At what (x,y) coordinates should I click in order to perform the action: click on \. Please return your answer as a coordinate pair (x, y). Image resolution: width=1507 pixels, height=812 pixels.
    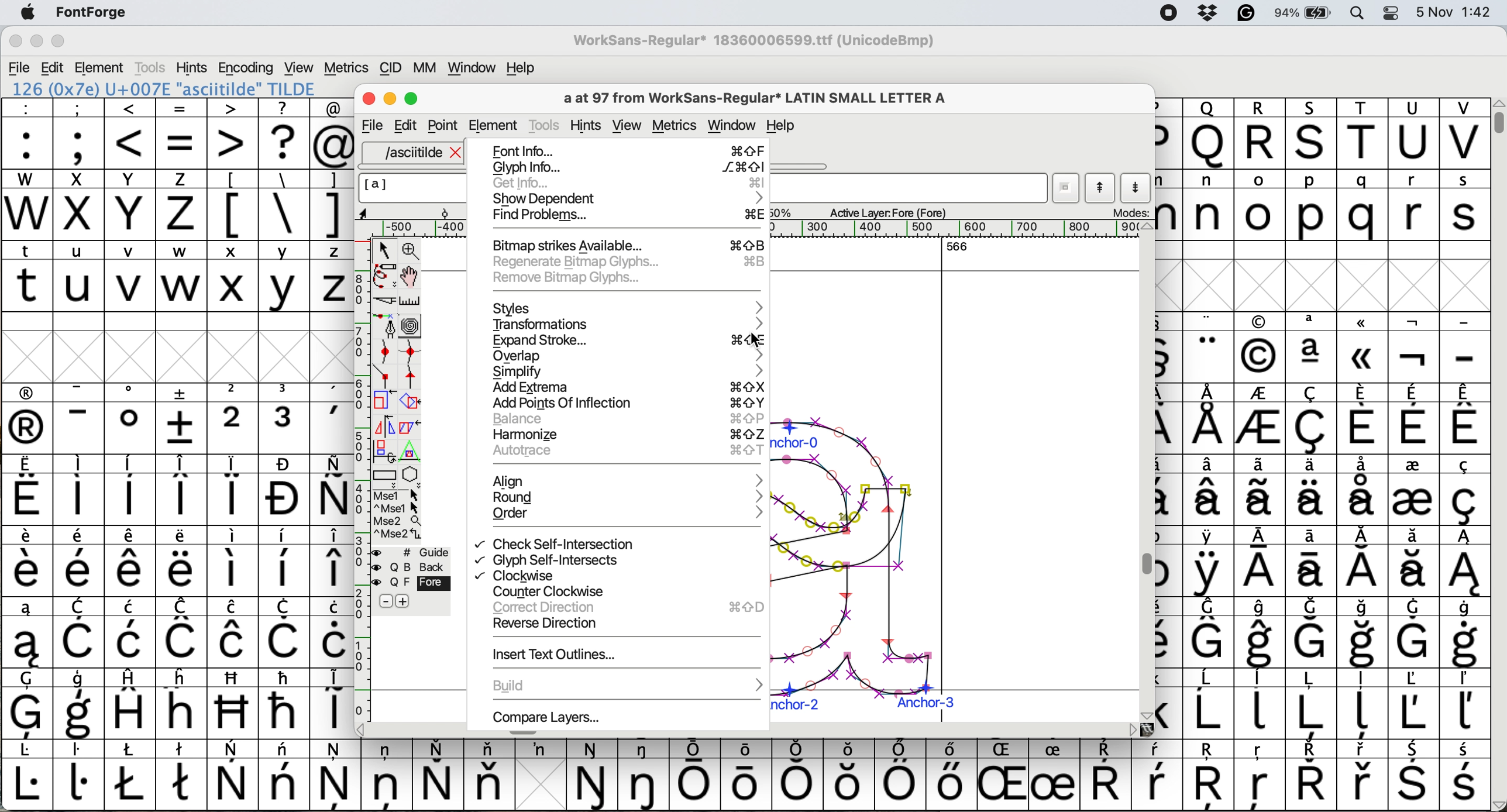
    Looking at the image, I should click on (283, 205).